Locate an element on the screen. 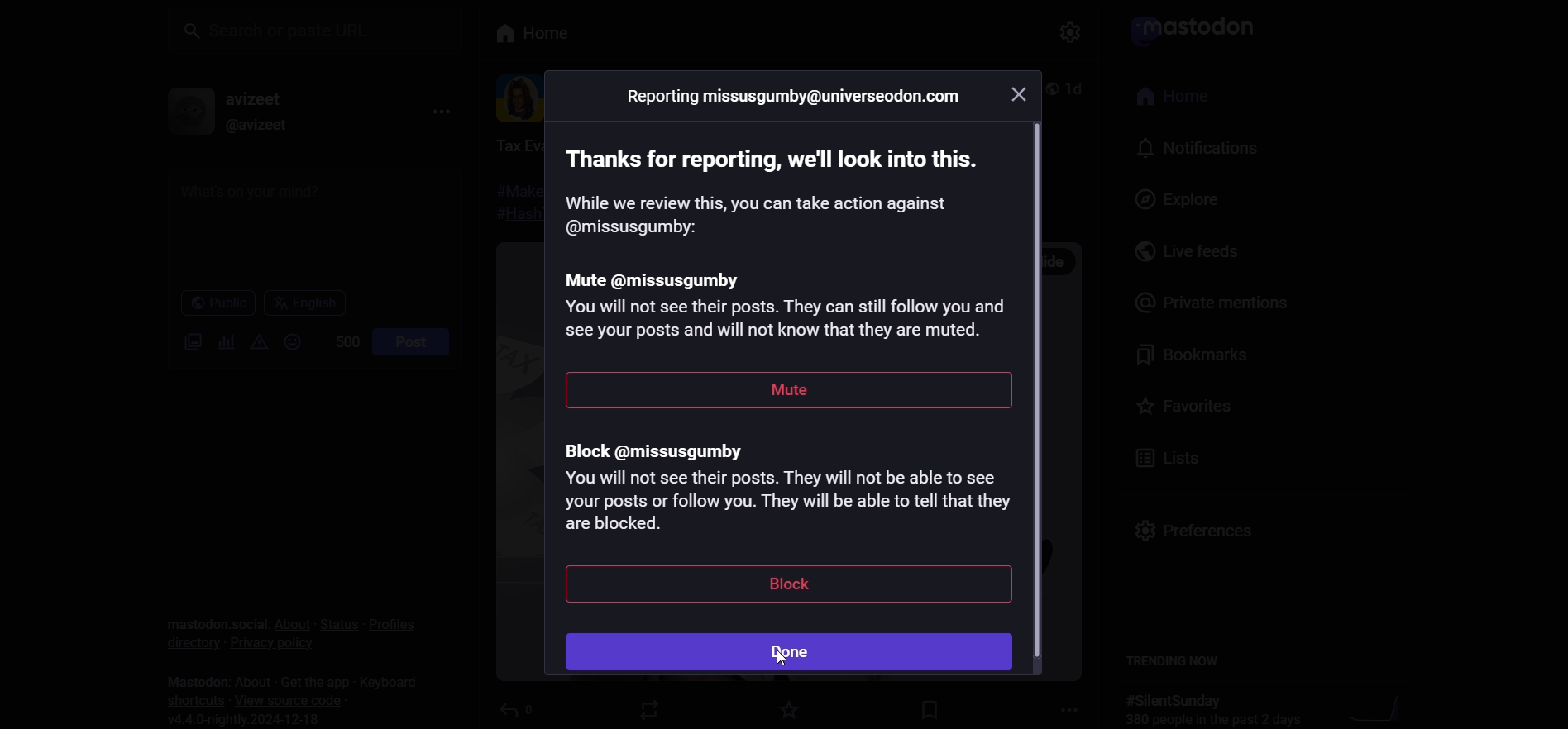 This screenshot has width=1568, height=729. mute is located at coordinates (786, 395).